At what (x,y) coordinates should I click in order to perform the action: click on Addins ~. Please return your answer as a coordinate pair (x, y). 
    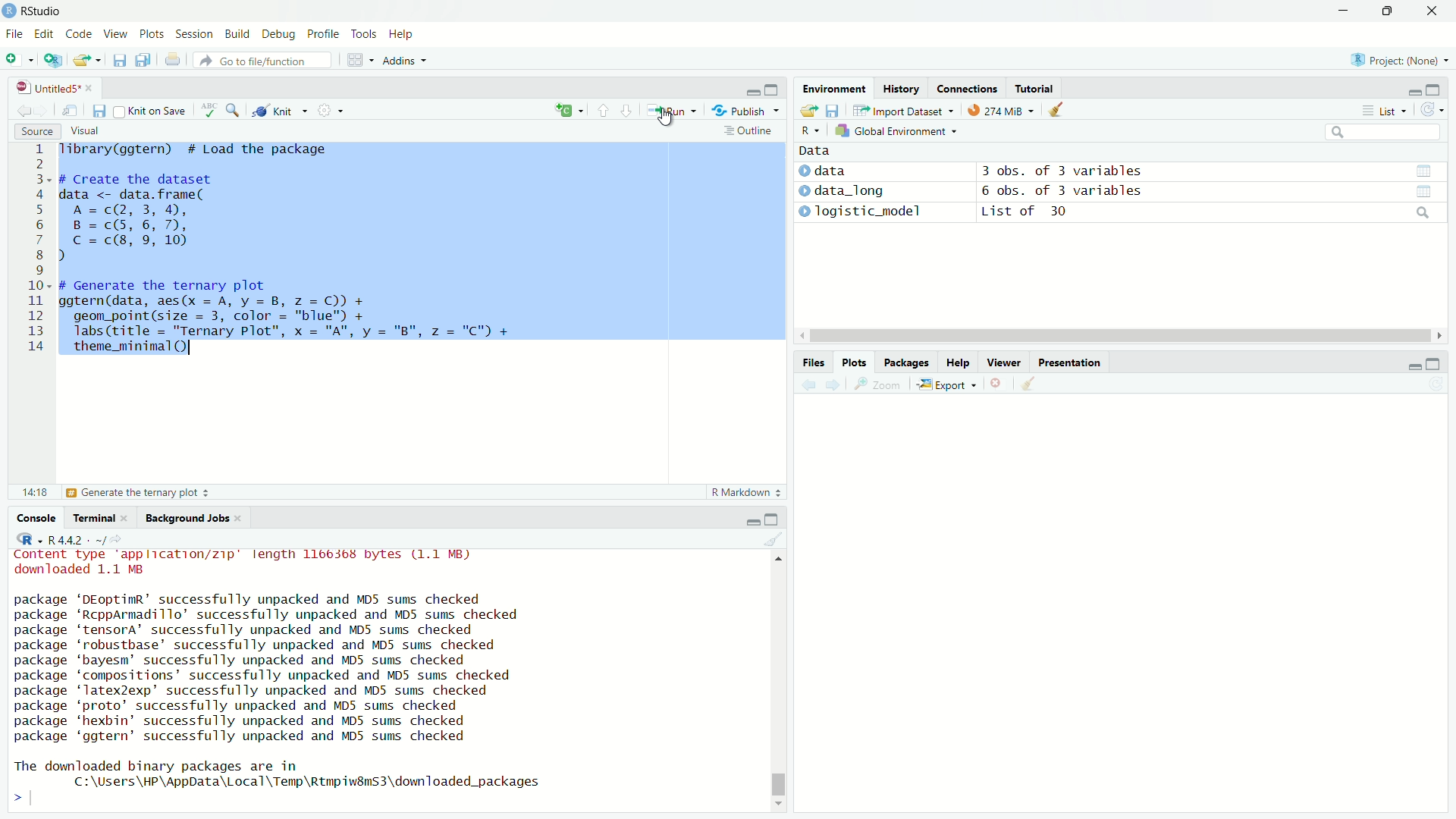
    Looking at the image, I should click on (402, 61).